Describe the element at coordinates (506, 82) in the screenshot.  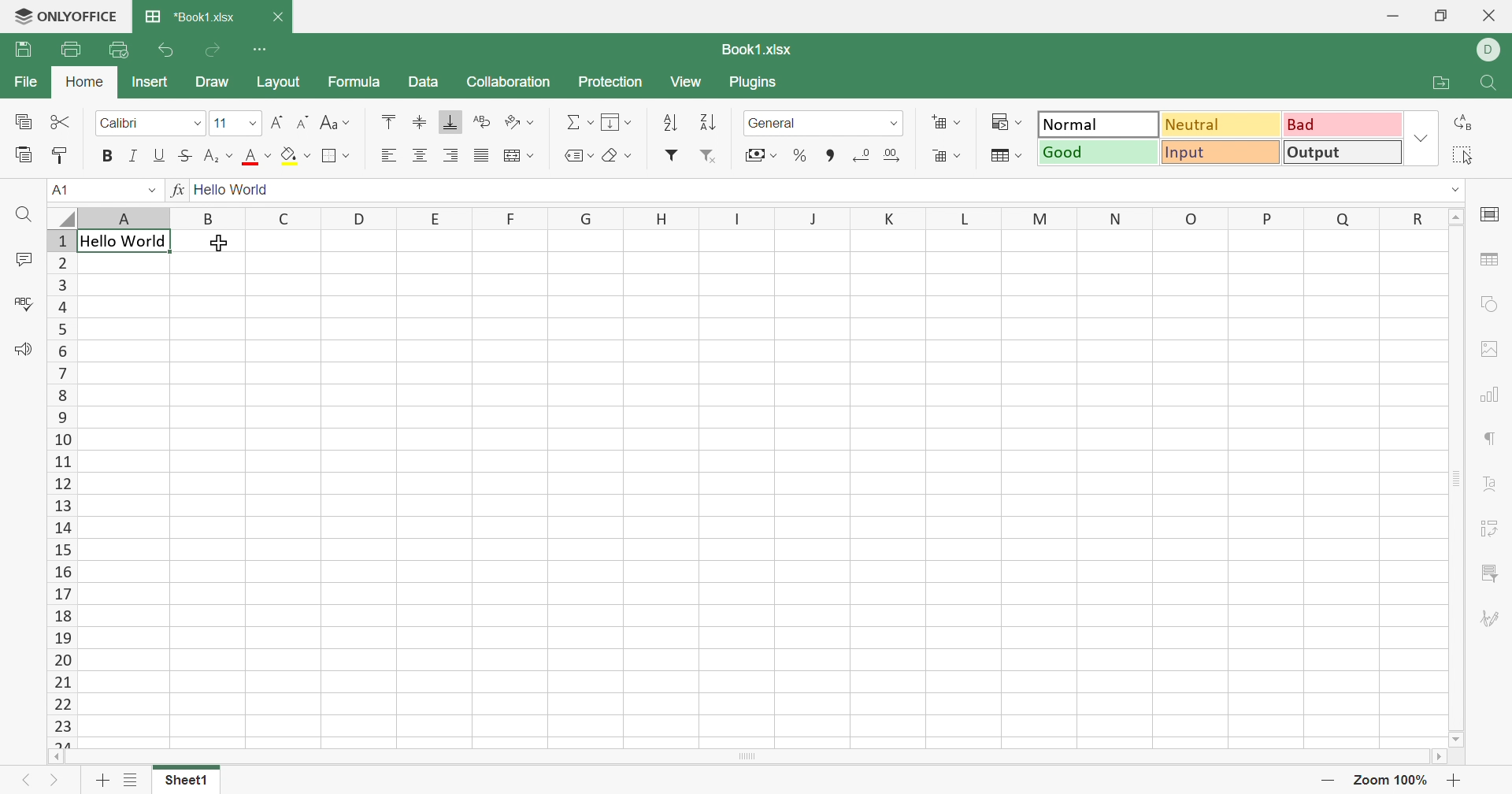
I see `Collaboration` at that location.